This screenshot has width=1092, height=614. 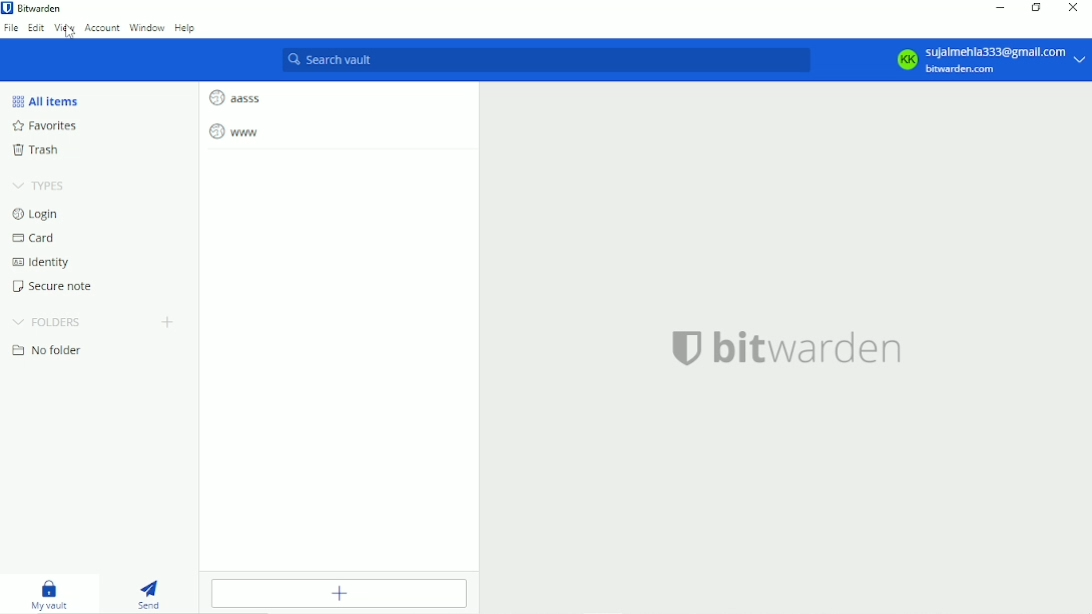 I want to click on www, so click(x=241, y=132).